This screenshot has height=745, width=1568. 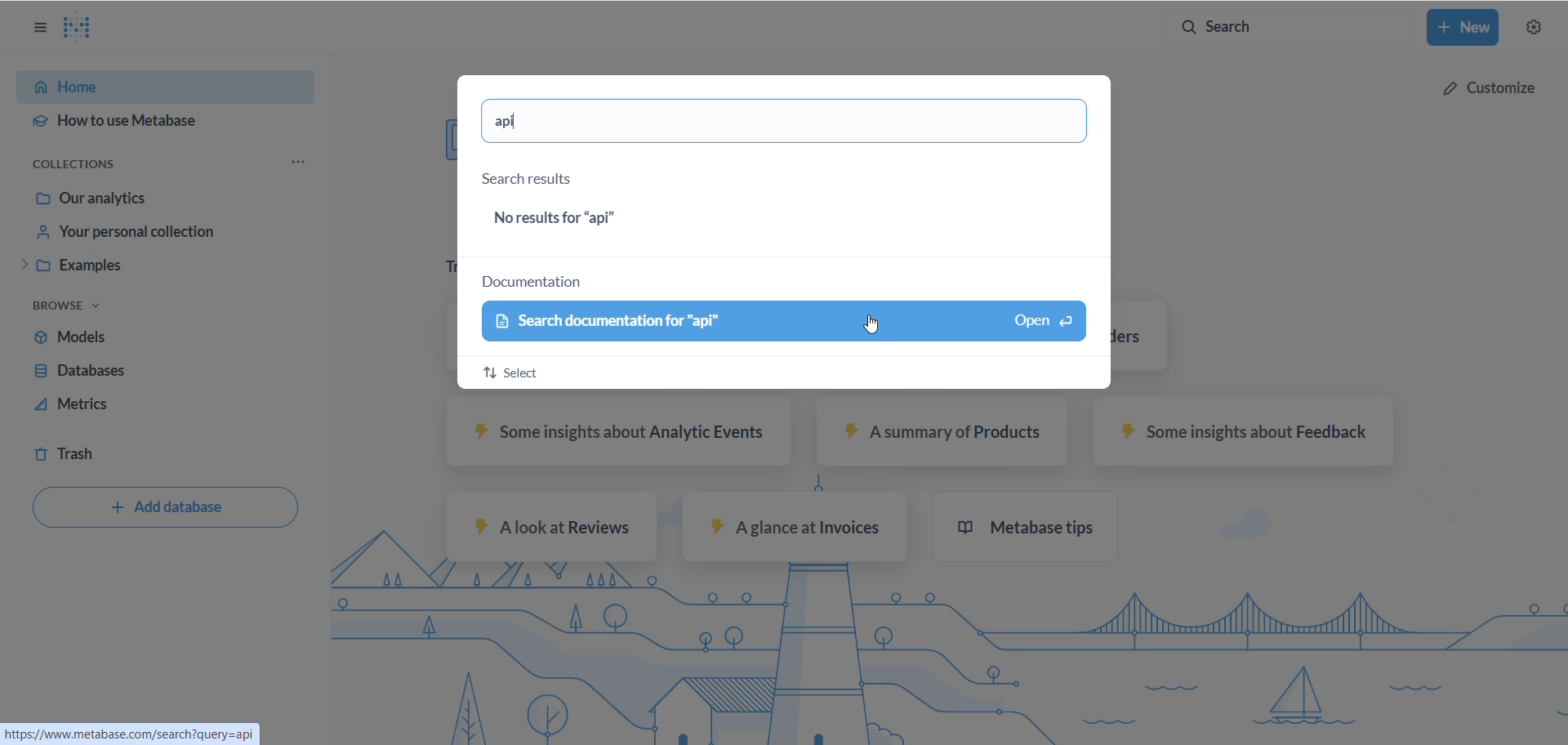 What do you see at coordinates (301, 161) in the screenshot?
I see `COLLECTION OPTIONS` at bounding box center [301, 161].